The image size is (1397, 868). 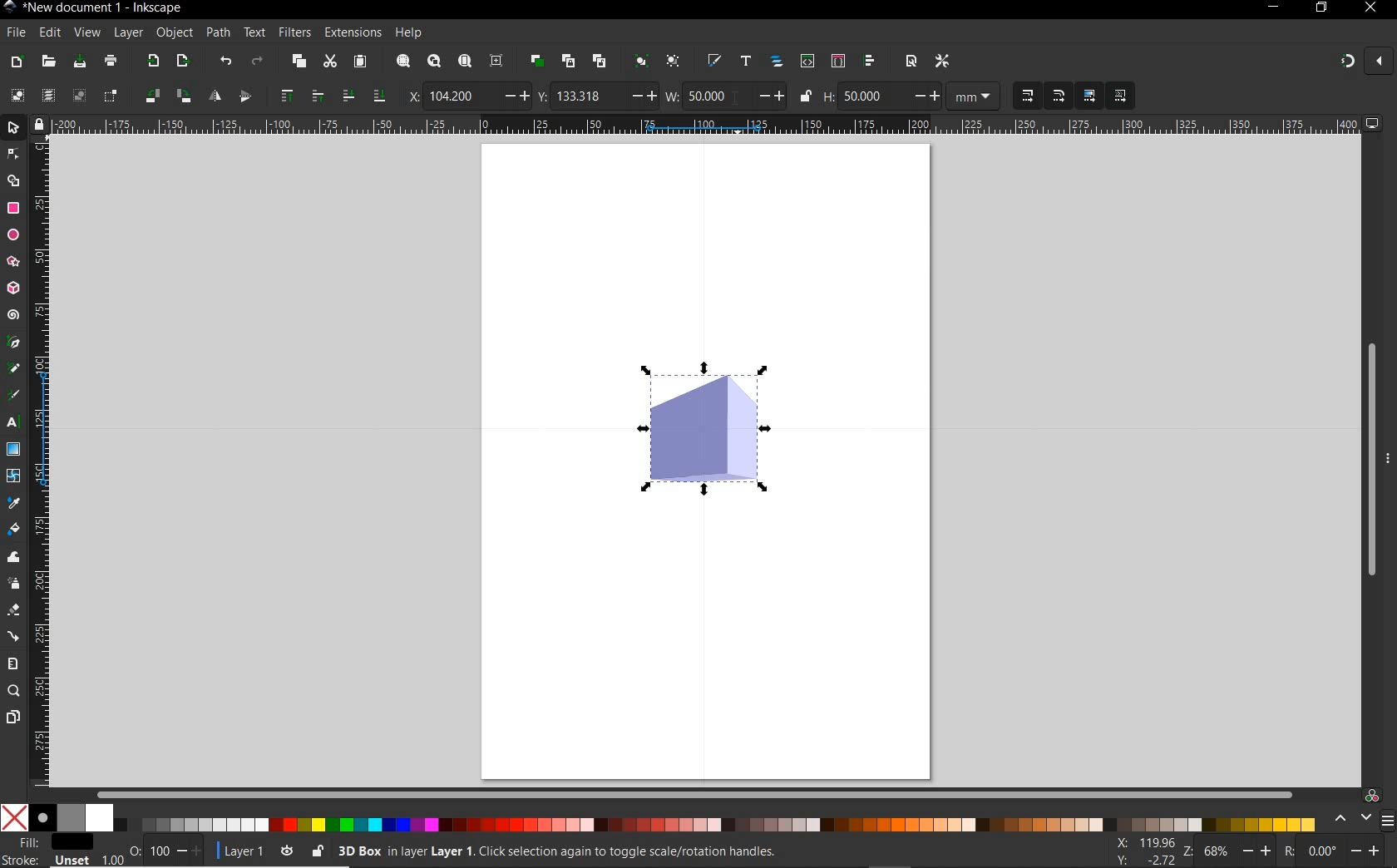 I want to click on 3d box tool, so click(x=12, y=289).